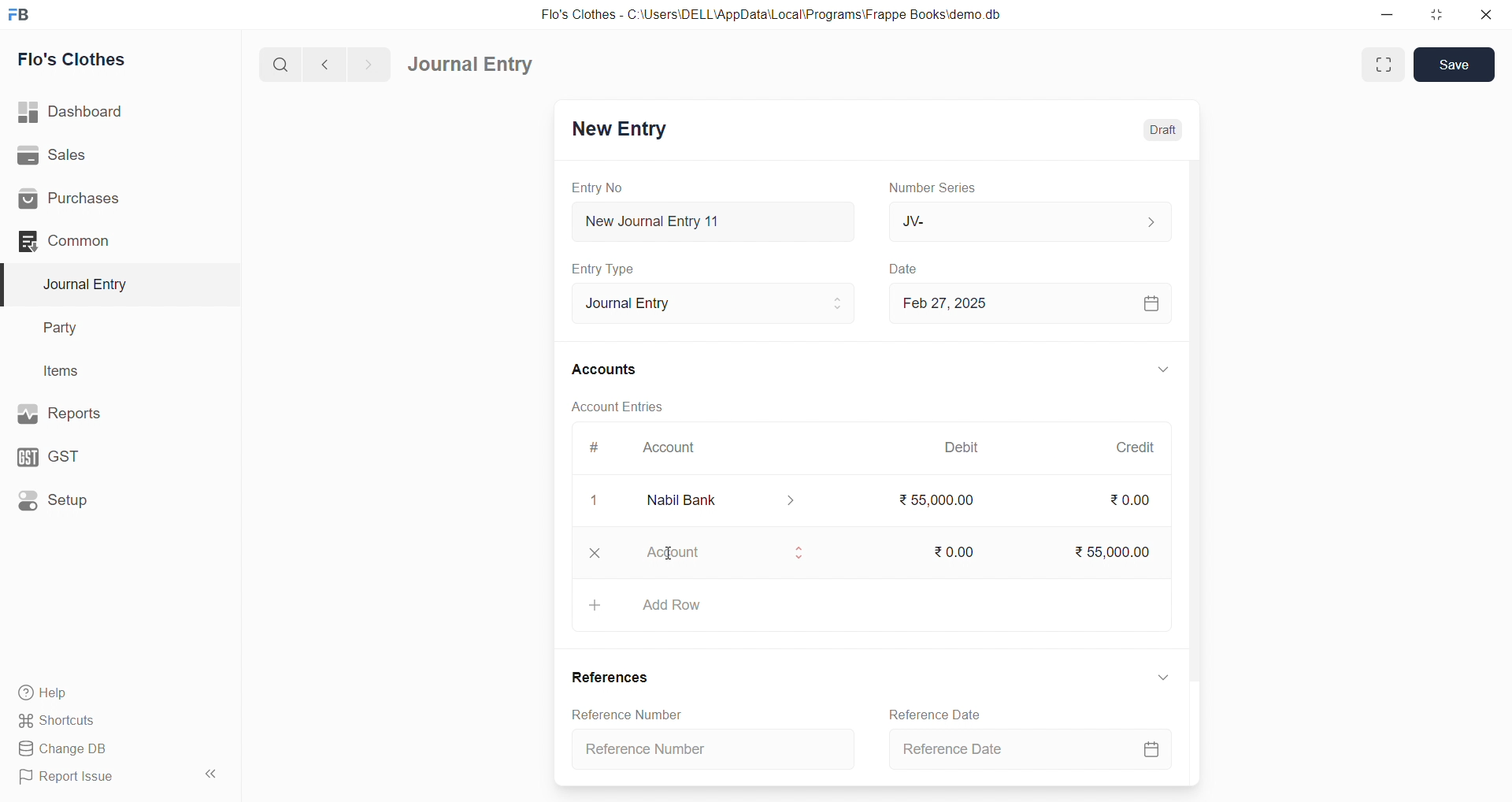 The height and width of the screenshot is (802, 1512). I want to click on Entry No, so click(597, 188).